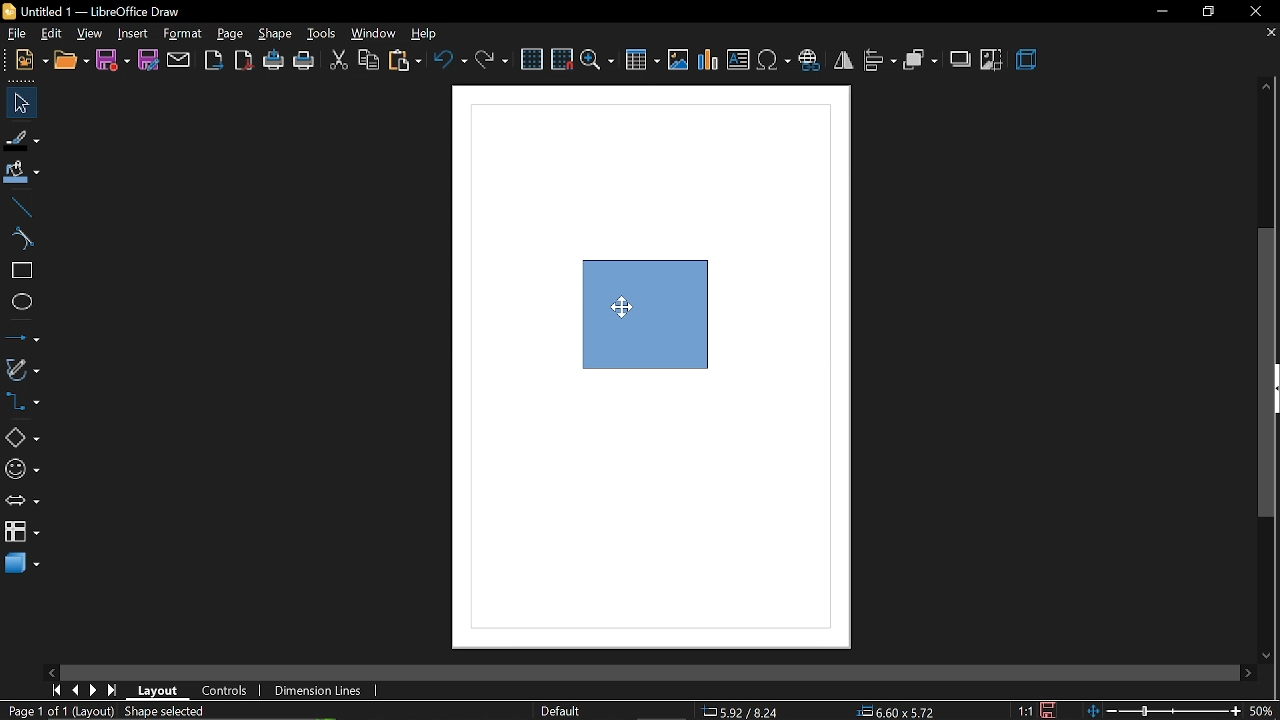  What do you see at coordinates (900, 710) in the screenshot?
I see `position (6.60x5.72)` at bounding box center [900, 710].